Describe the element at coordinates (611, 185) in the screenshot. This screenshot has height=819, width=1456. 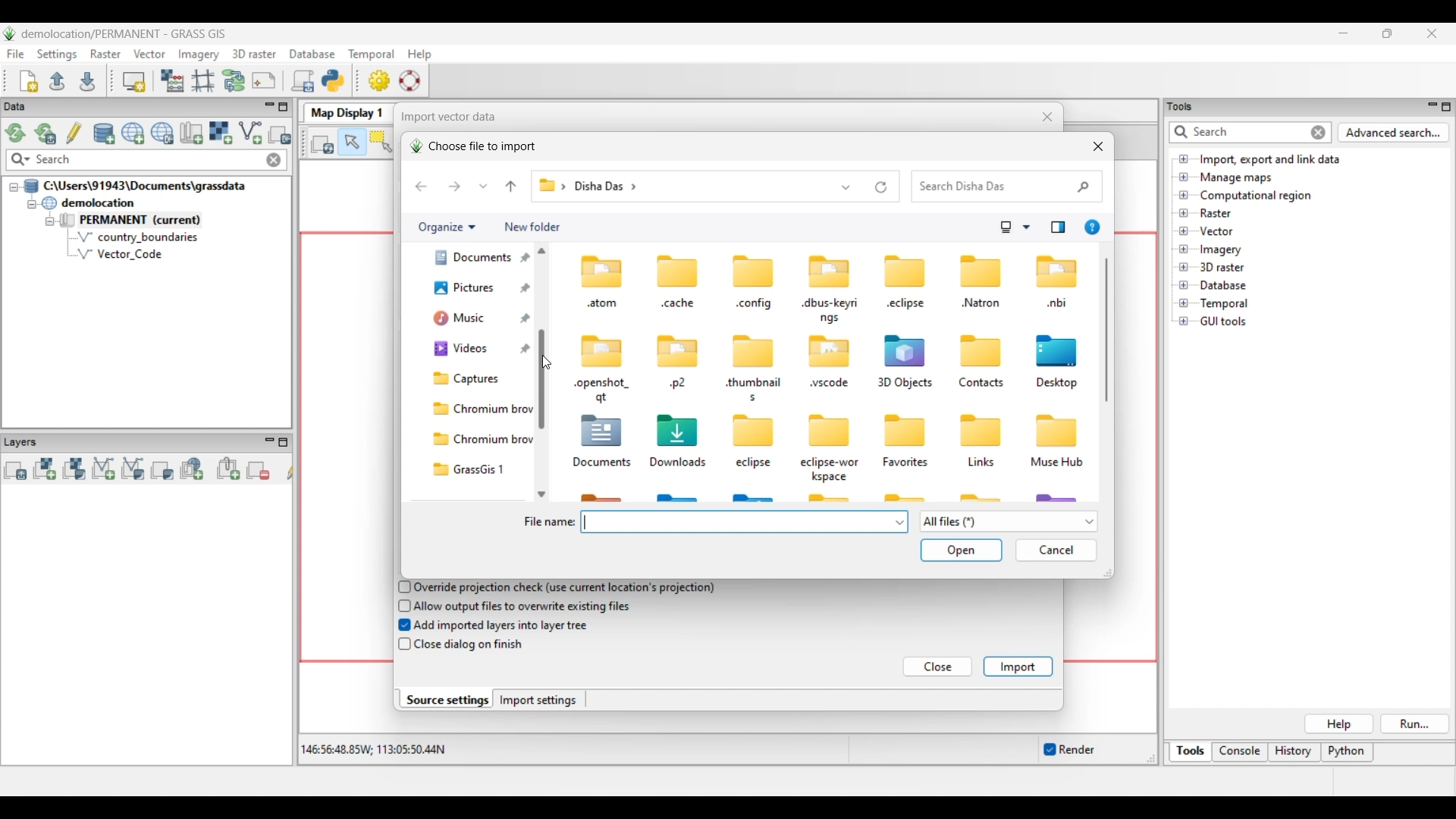
I see `disha das` at that location.